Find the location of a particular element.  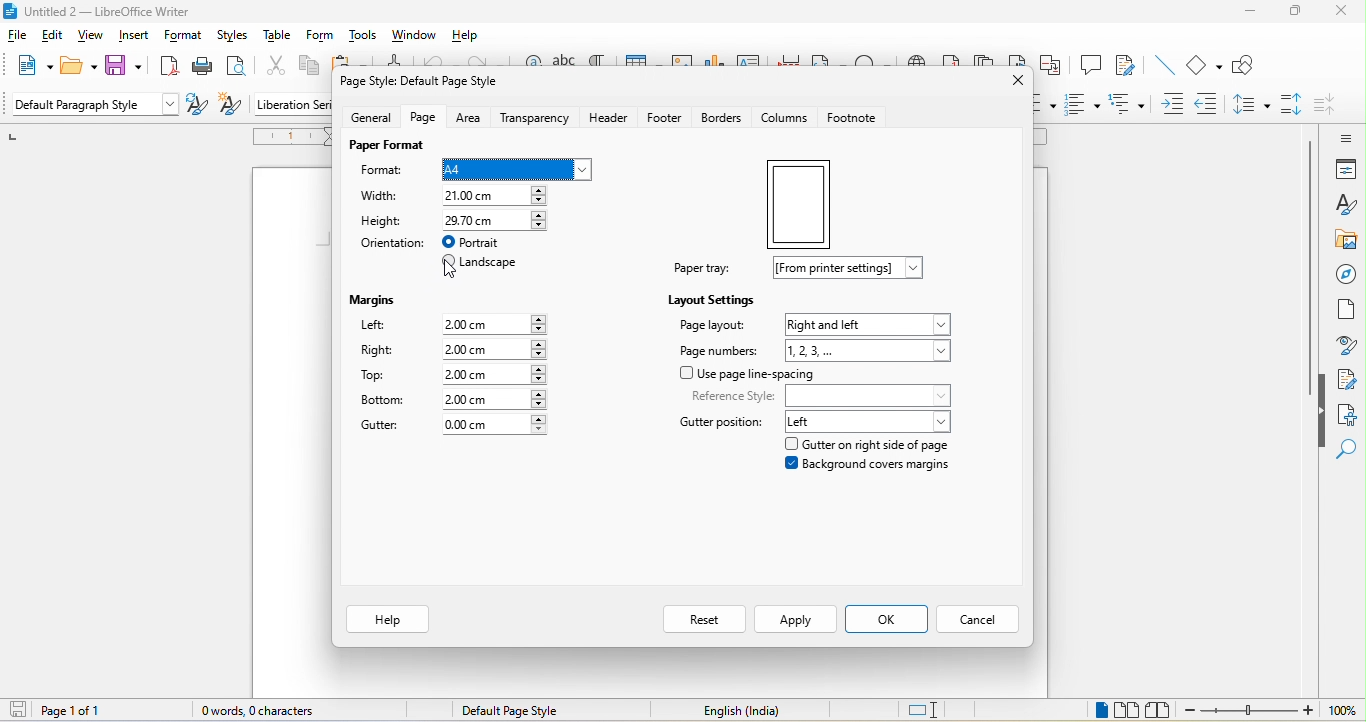

zoom is located at coordinates (1271, 711).